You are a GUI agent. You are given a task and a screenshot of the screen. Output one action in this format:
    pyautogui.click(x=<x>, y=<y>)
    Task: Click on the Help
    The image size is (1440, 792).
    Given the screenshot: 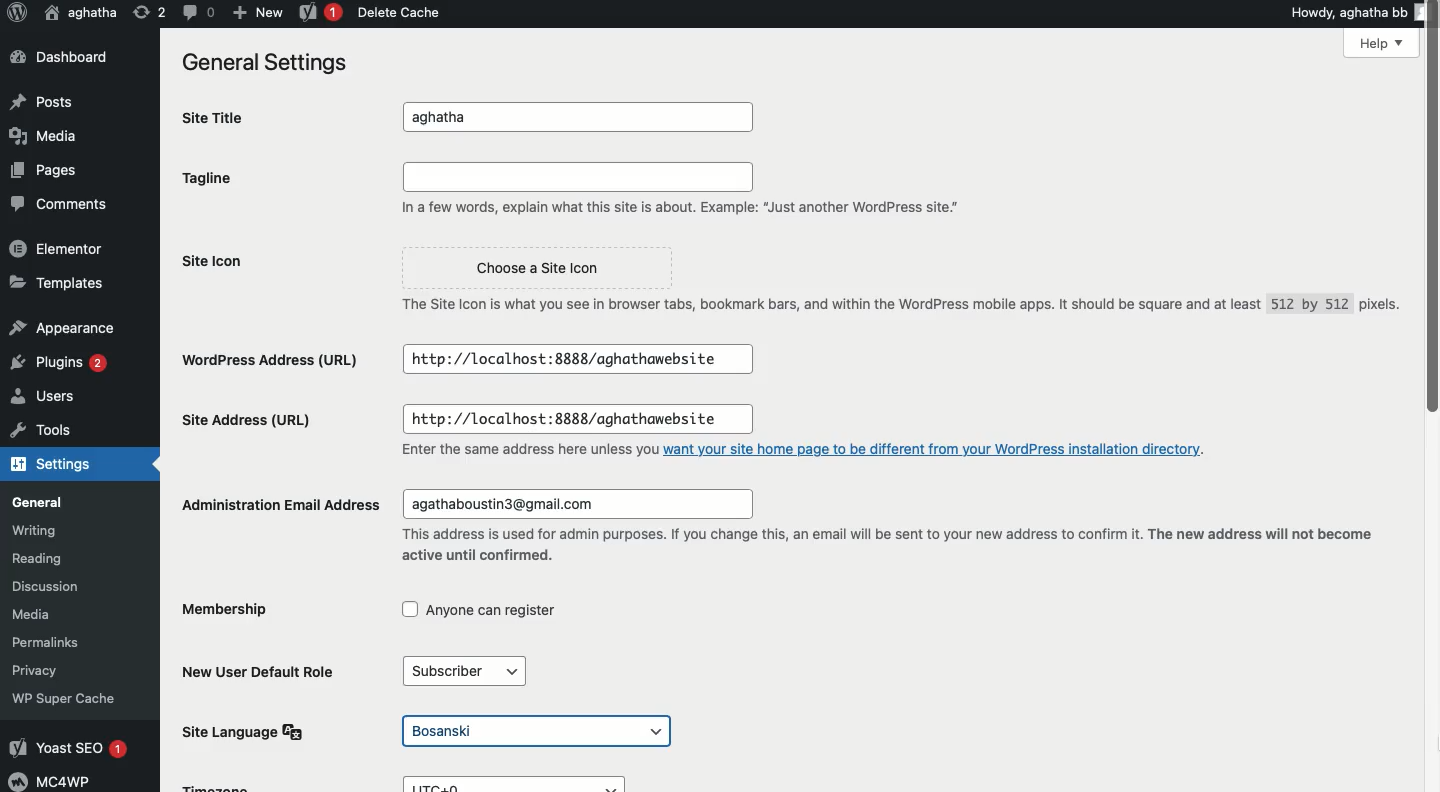 What is the action you would take?
    pyautogui.click(x=1383, y=44)
    